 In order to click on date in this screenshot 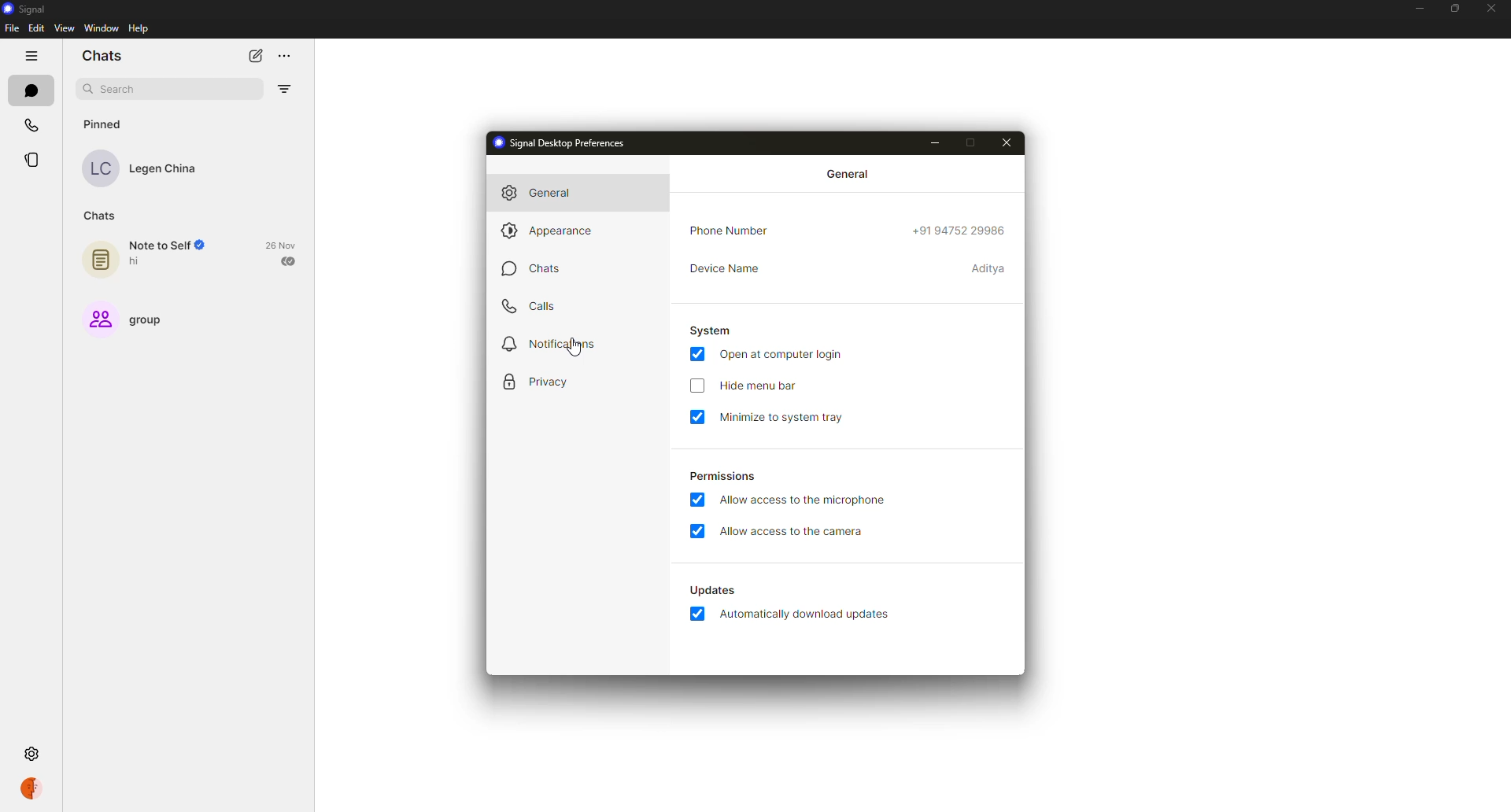, I will do `click(283, 245)`.